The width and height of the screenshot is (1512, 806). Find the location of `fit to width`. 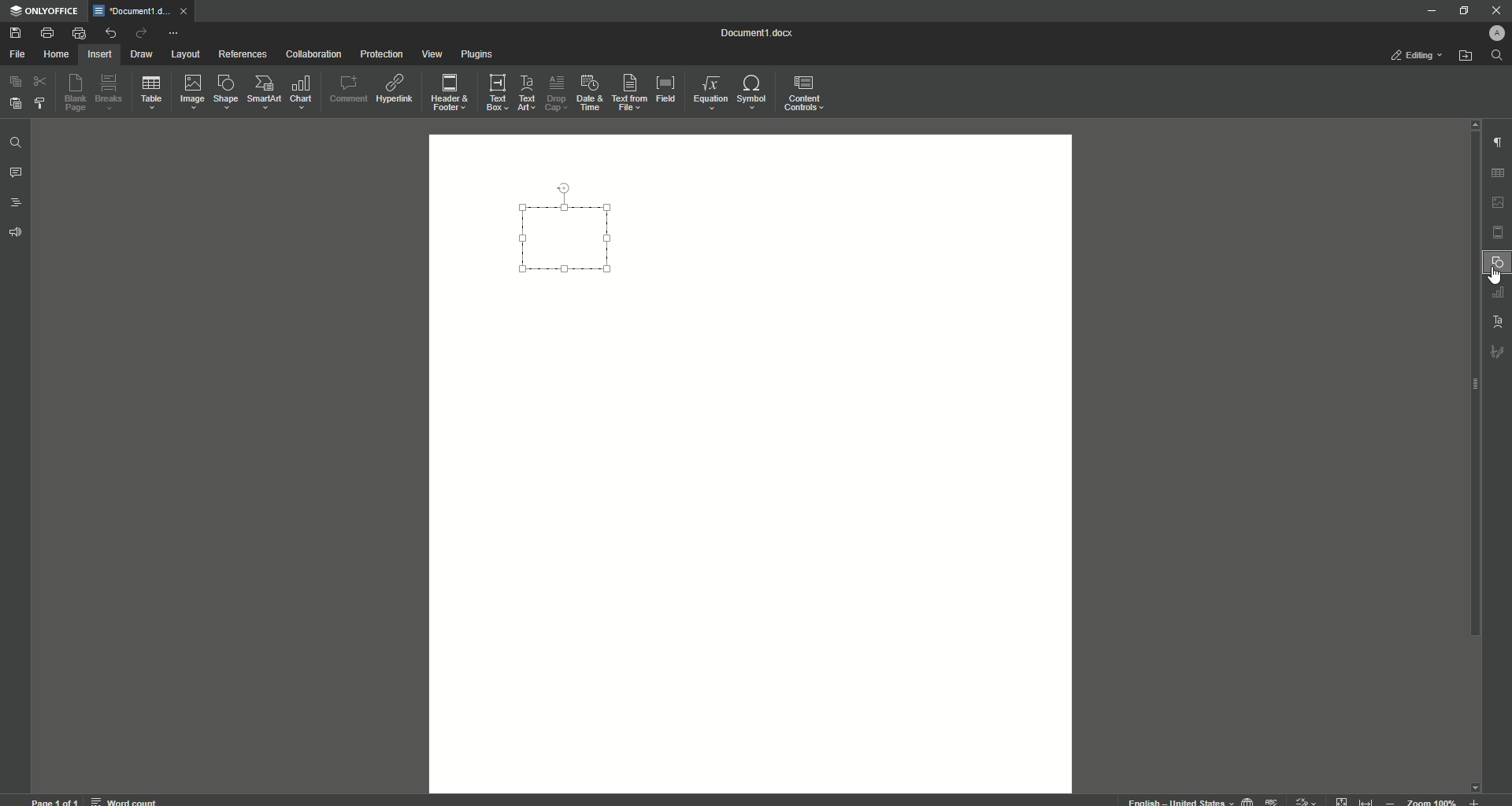

fit to width is located at coordinates (1369, 800).